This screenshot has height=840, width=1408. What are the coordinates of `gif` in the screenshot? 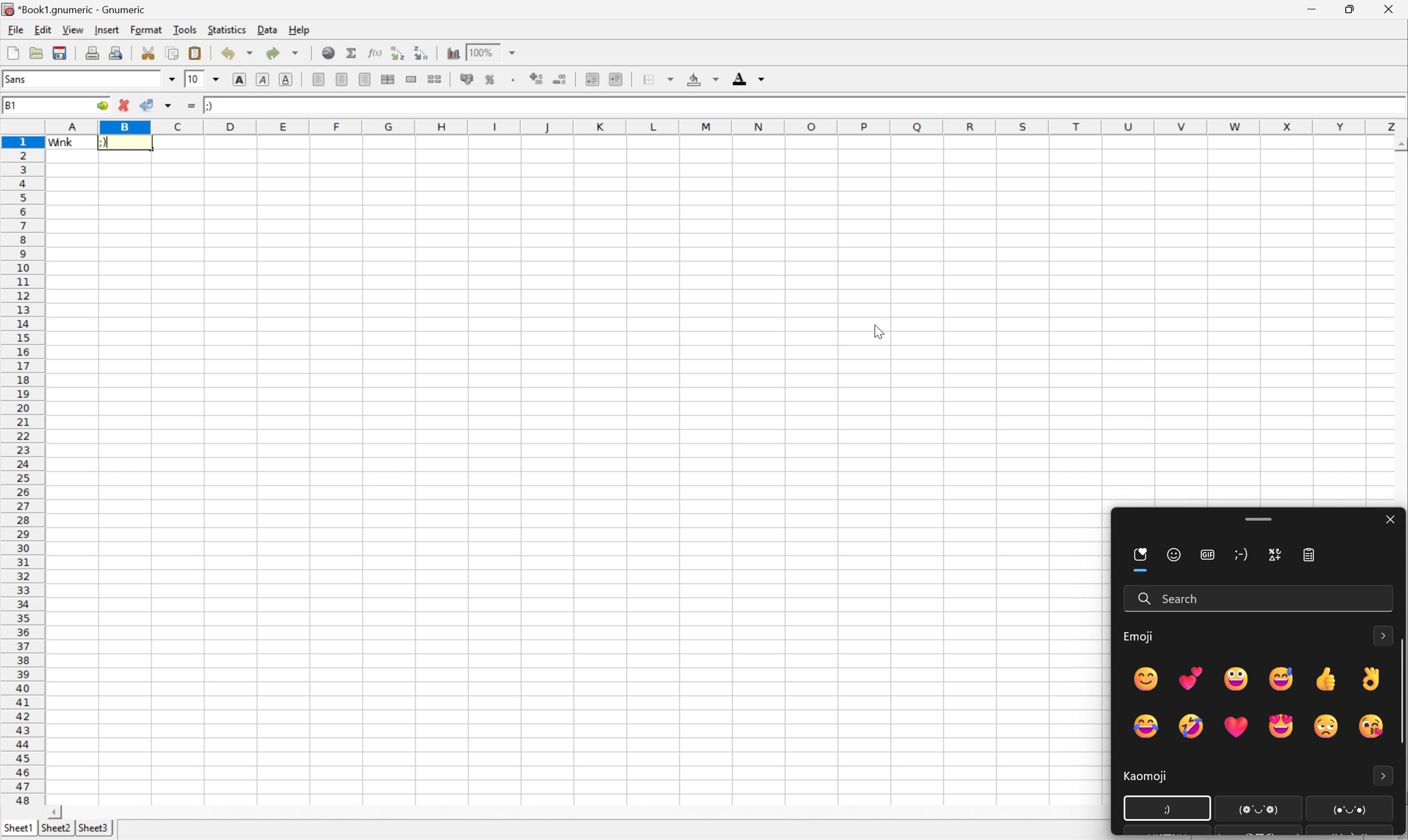 It's located at (1209, 556).